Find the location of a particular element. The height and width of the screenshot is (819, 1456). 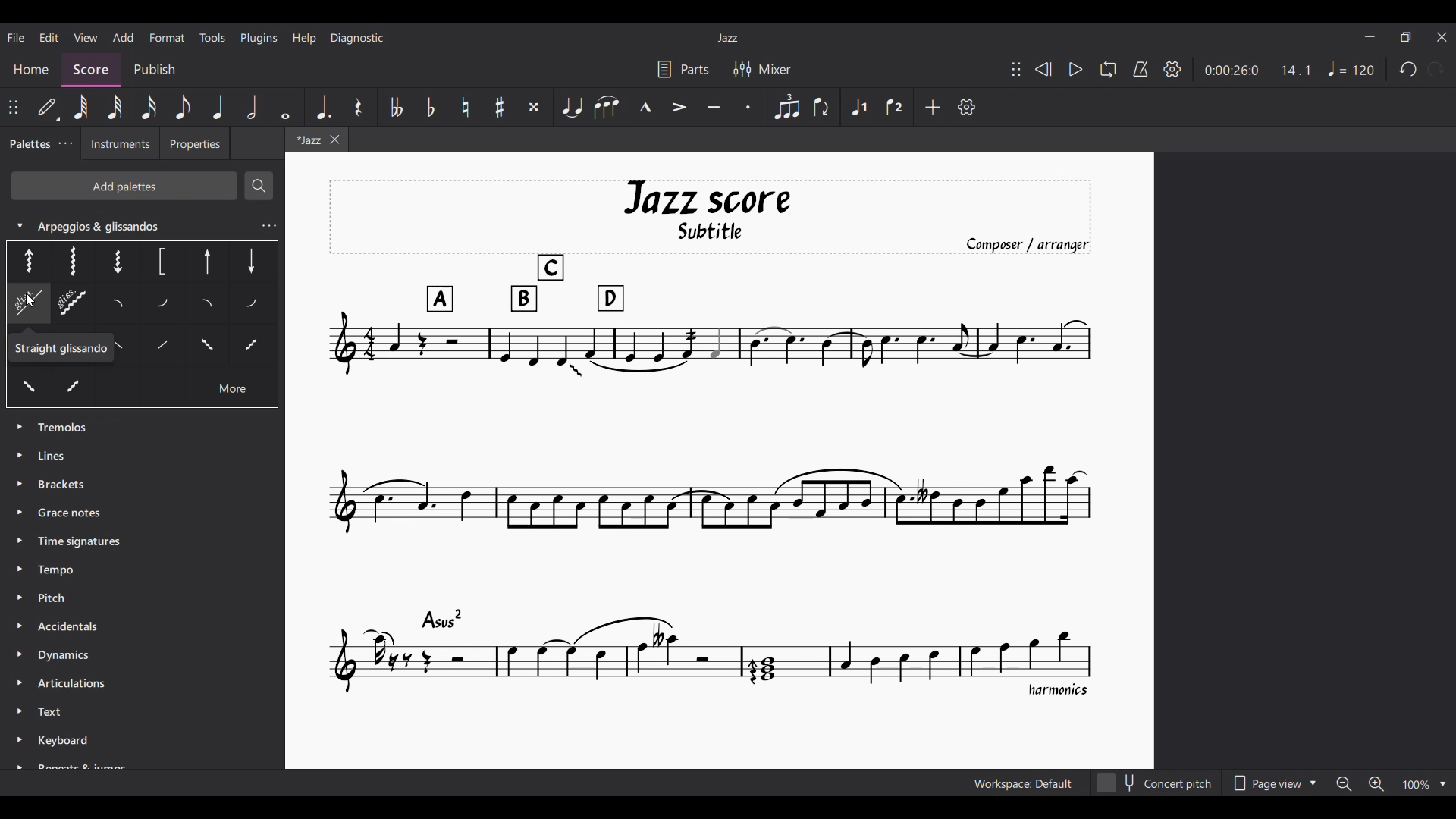

Text is located at coordinates (55, 713).